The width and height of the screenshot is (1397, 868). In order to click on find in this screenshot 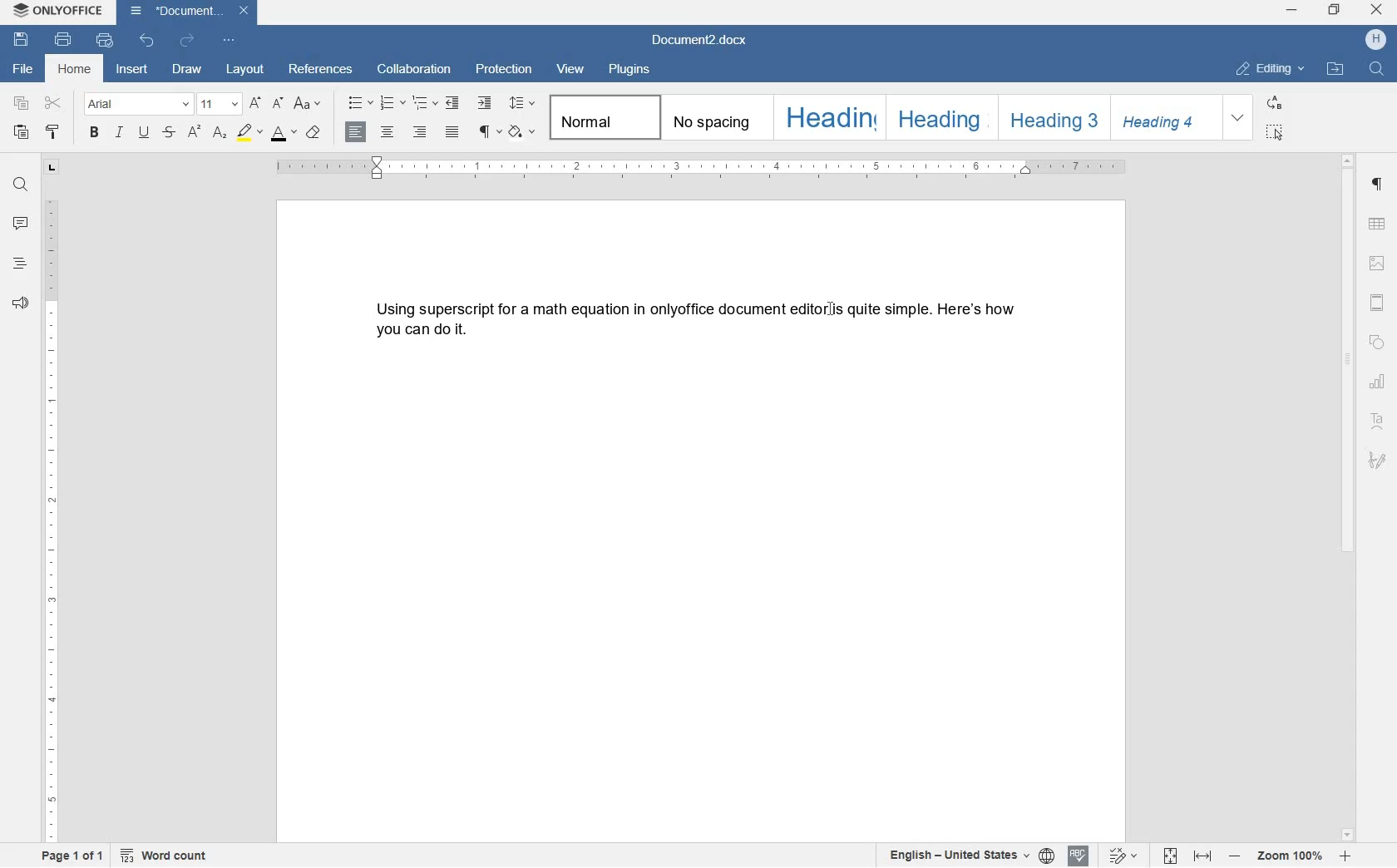, I will do `click(20, 181)`.